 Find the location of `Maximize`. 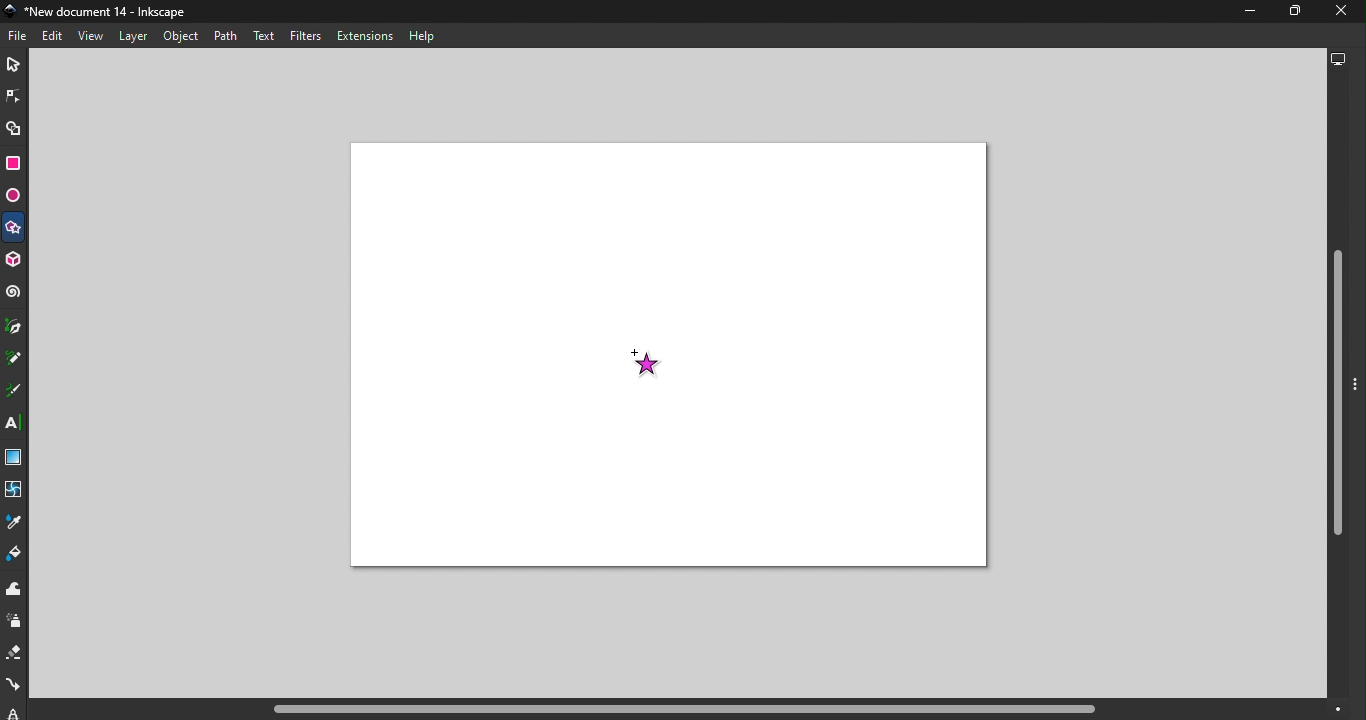

Maximize is located at coordinates (1289, 12).